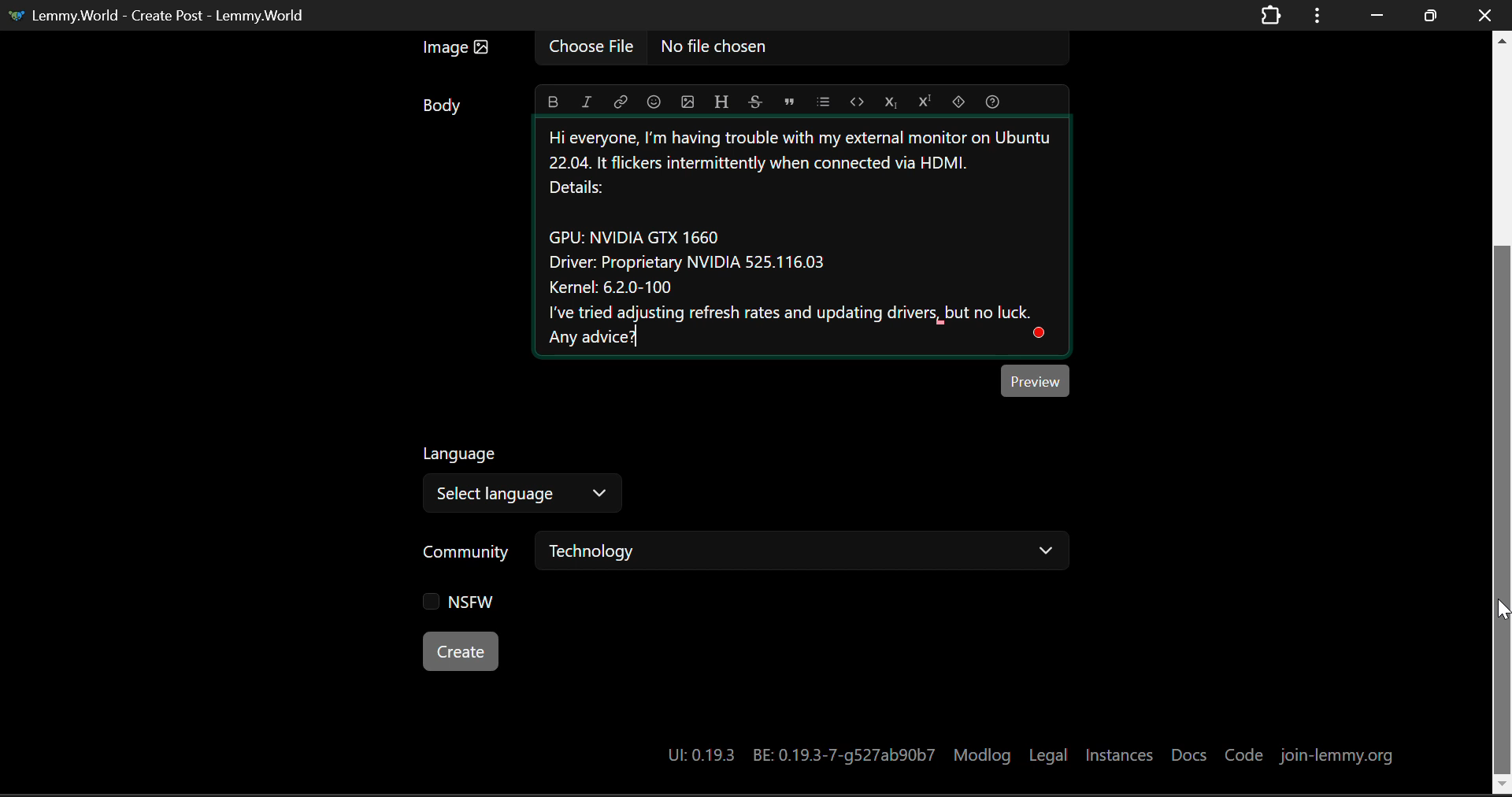 This screenshot has height=797, width=1512. I want to click on Insert Emoji, so click(653, 101).